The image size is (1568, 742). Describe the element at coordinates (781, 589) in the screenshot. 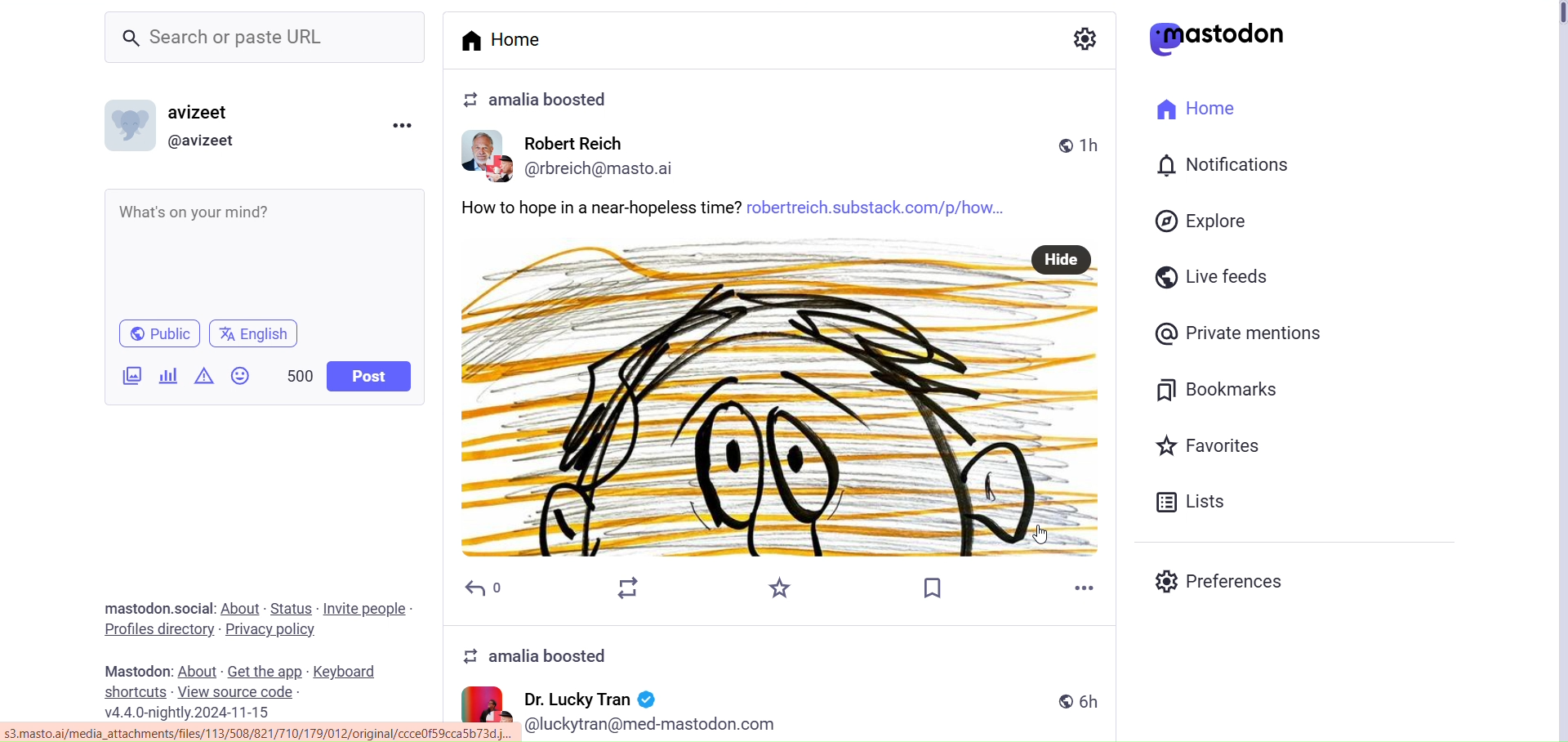

I see `Favorite ` at that location.